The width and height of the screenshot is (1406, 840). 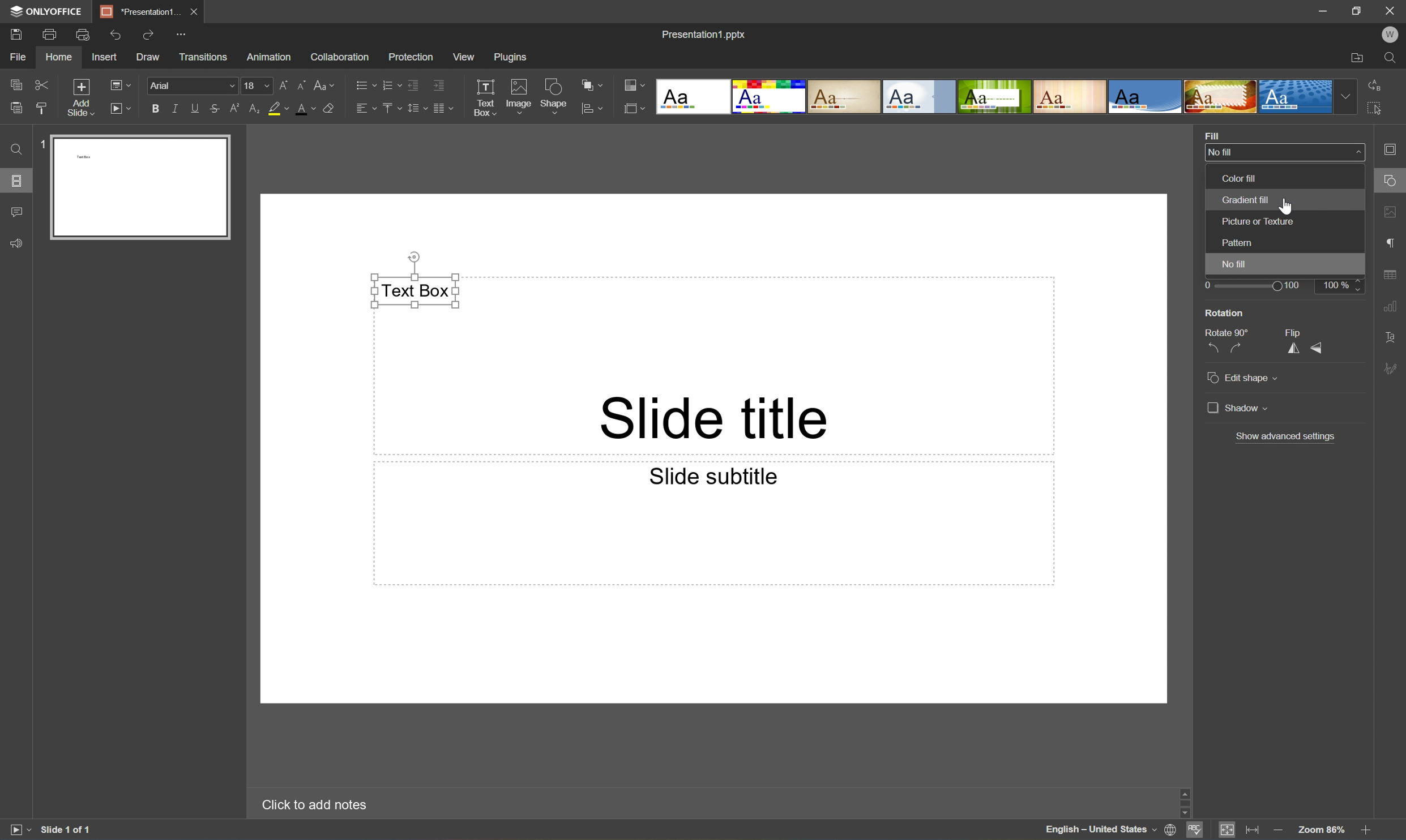 What do you see at coordinates (1239, 241) in the screenshot?
I see `Pattern` at bounding box center [1239, 241].